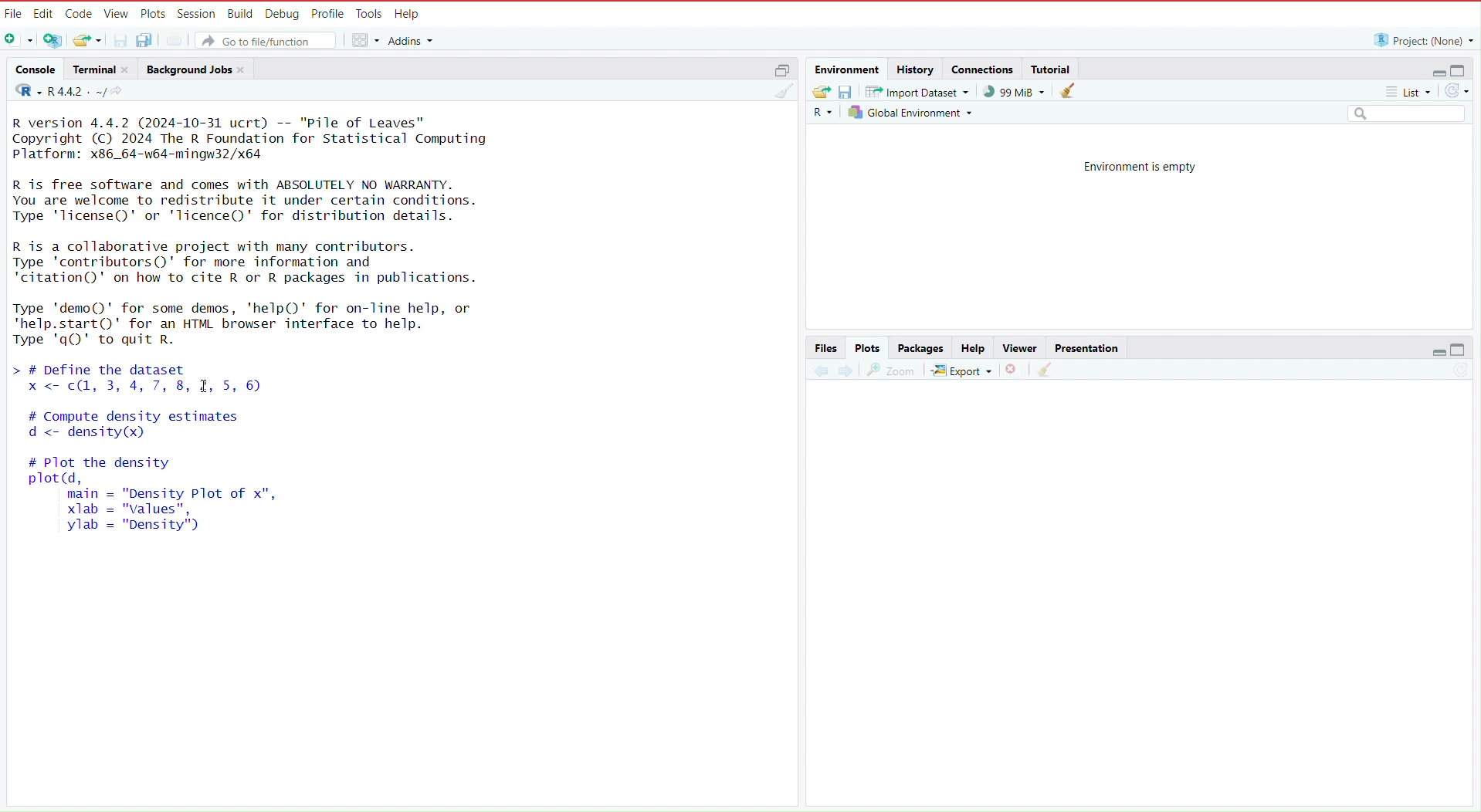  What do you see at coordinates (245, 69) in the screenshot?
I see `close` at bounding box center [245, 69].